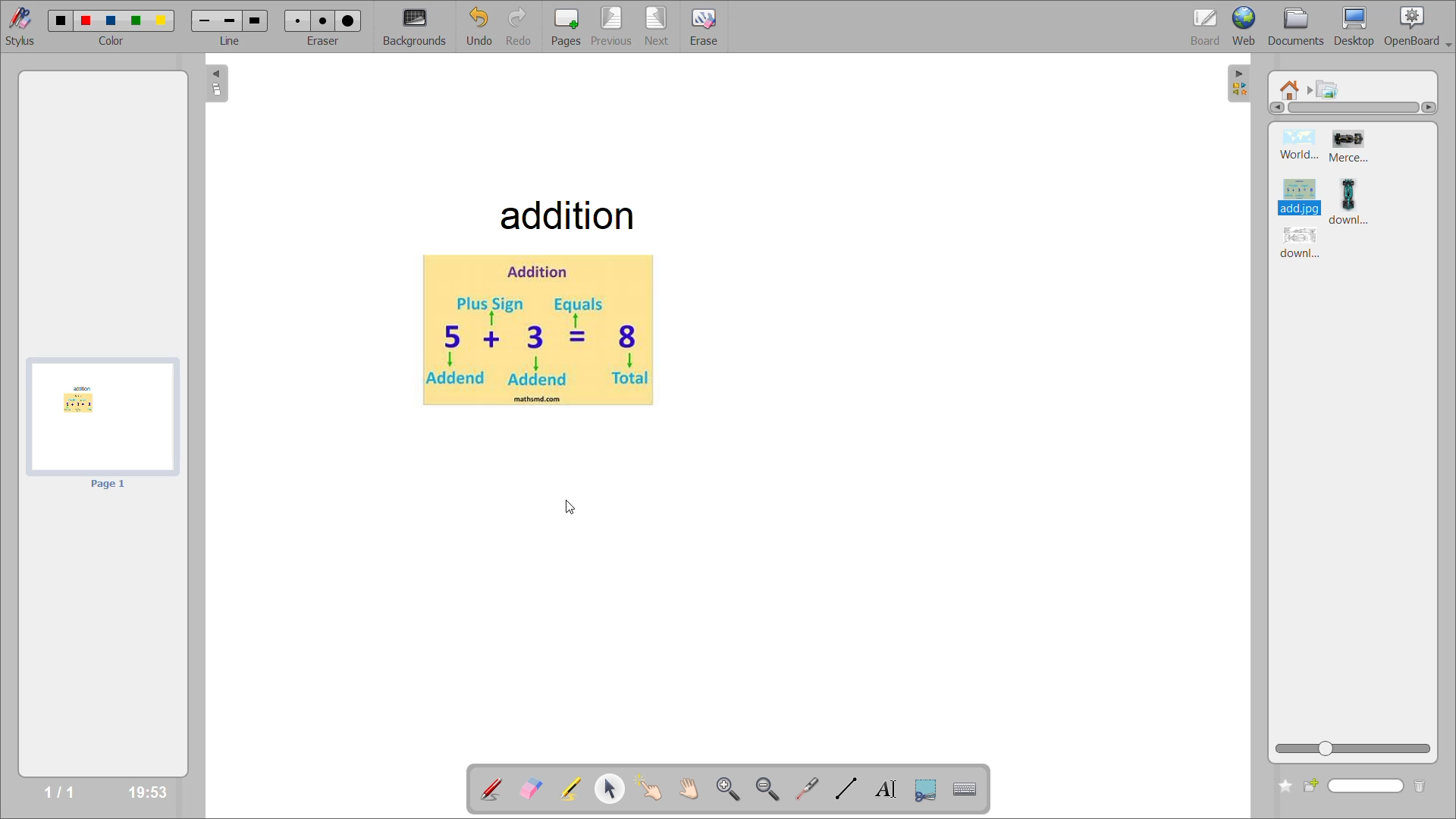  What do you see at coordinates (205, 21) in the screenshot?
I see `line 1` at bounding box center [205, 21].